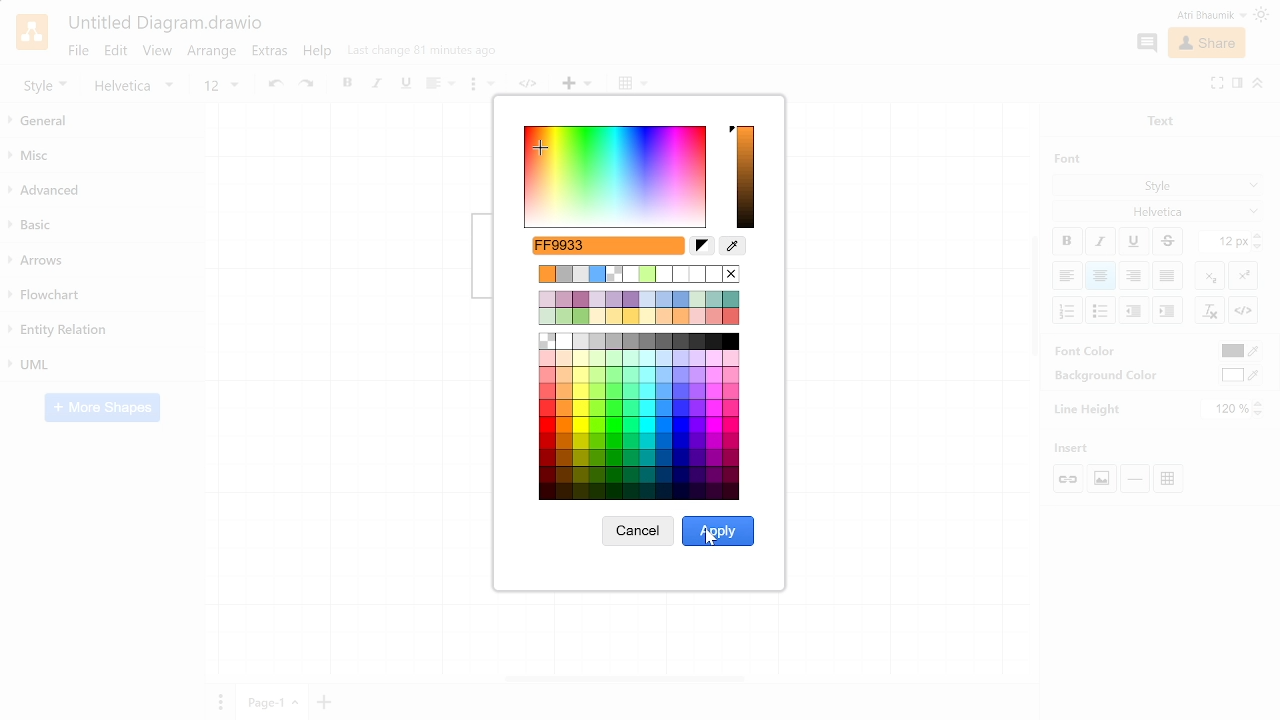 The width and height of the screenshot is (1280, 720). What do you see at coordinates (1170, 276) in the screenshot?
I see `Middle` at bounding box center [1170, 276].